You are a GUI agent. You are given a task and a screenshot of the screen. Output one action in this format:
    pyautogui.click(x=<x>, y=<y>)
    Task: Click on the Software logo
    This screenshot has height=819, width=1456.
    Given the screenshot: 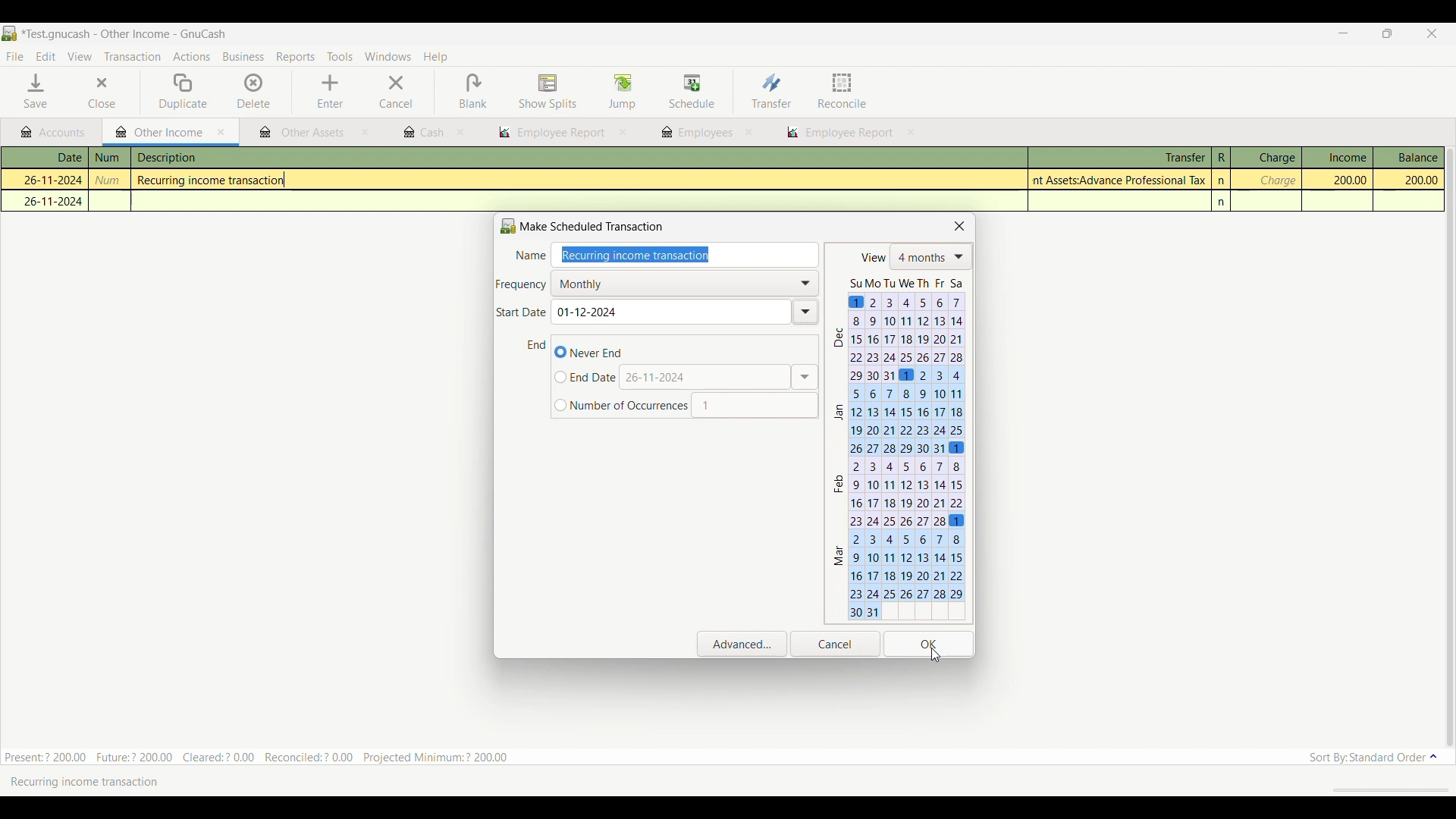 What is the action you would take?
    pyautogui.click(x=10, y=33)
    